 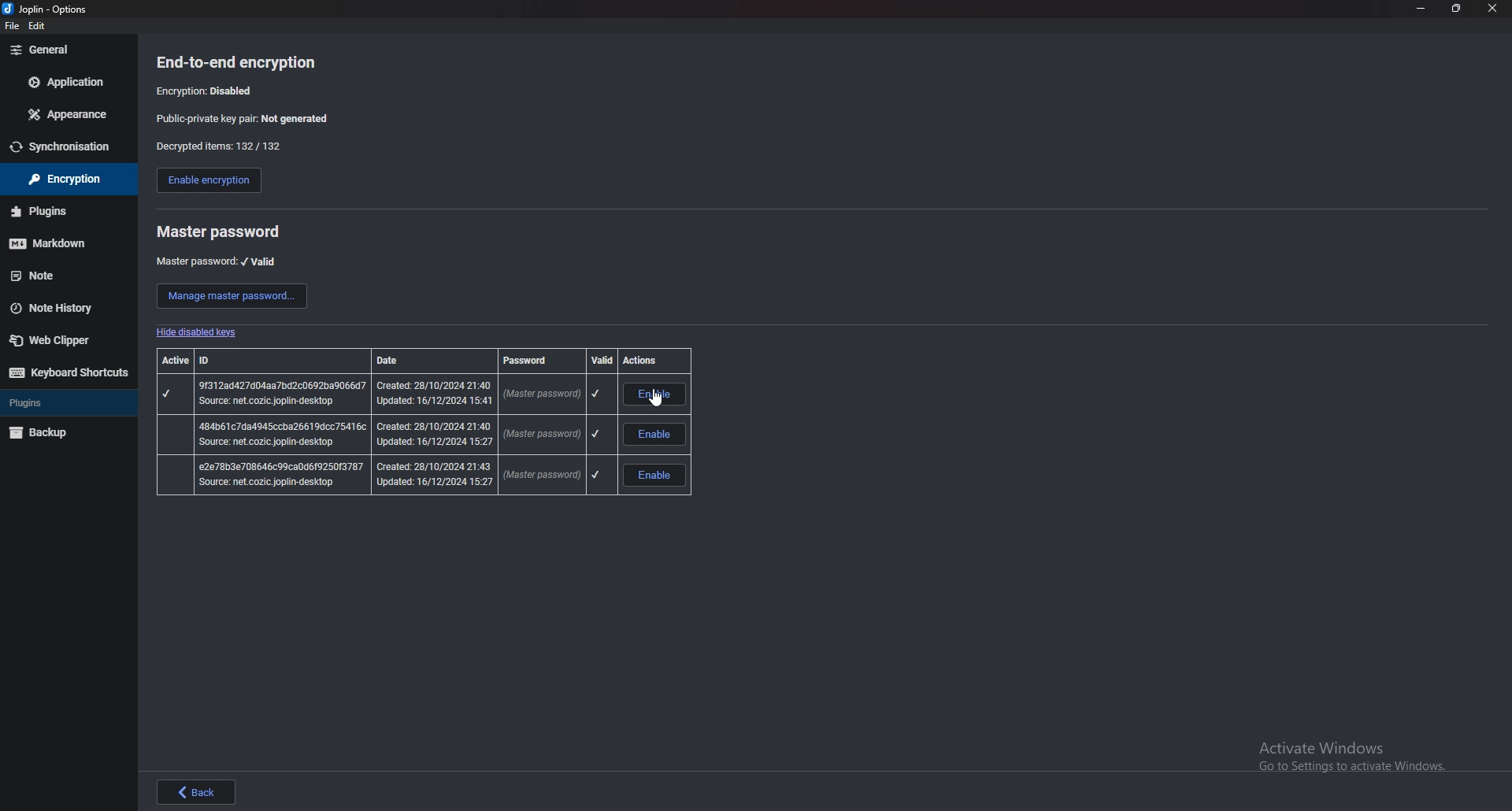 What do you see at coordinates (64, 308) in the screenshot?
I see `note history` at bounding box center [64, 308].